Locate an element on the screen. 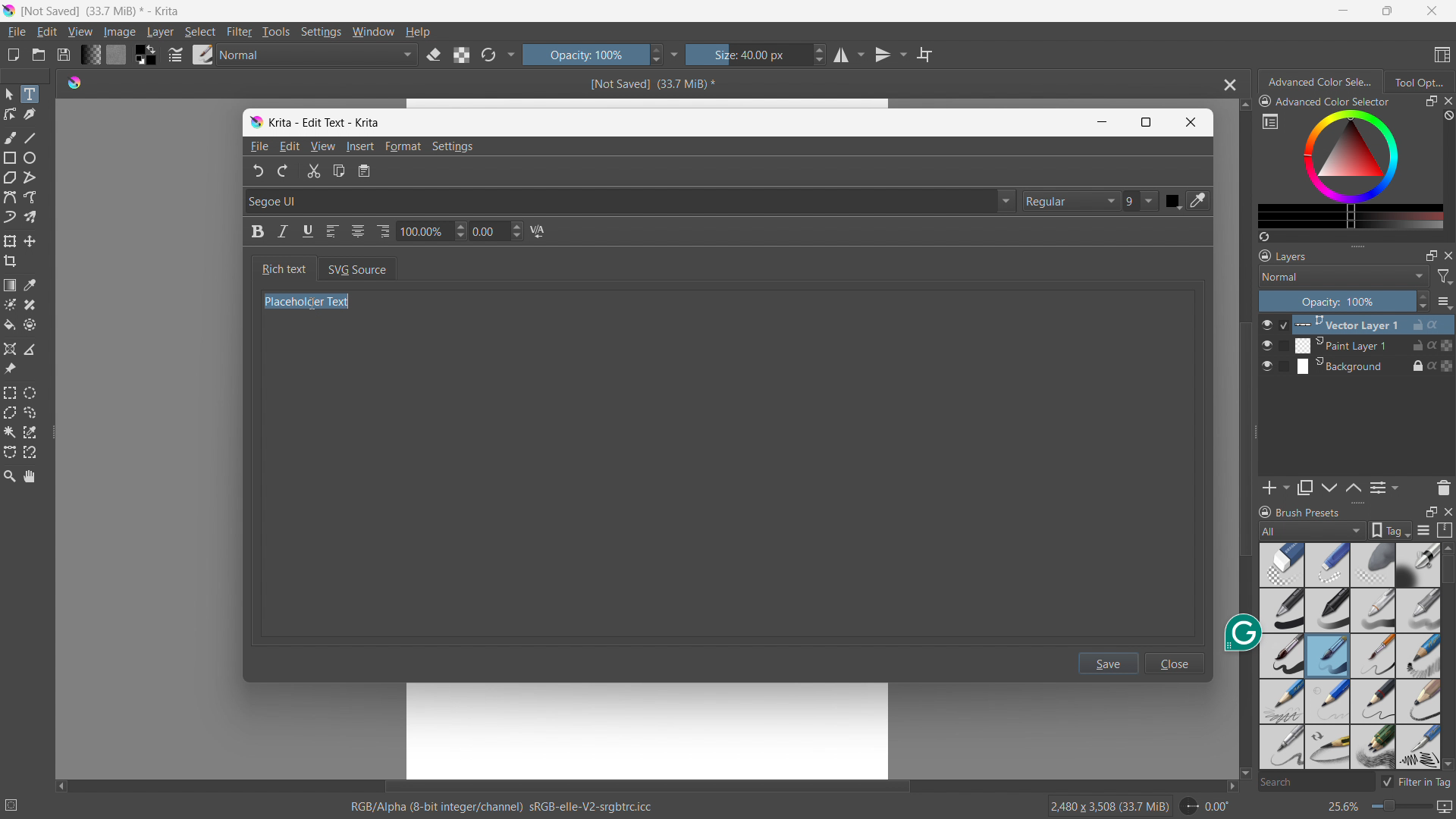 The height and width of the screenshot is (819, 1456). reload original preset is located at coordinates (488, 54).